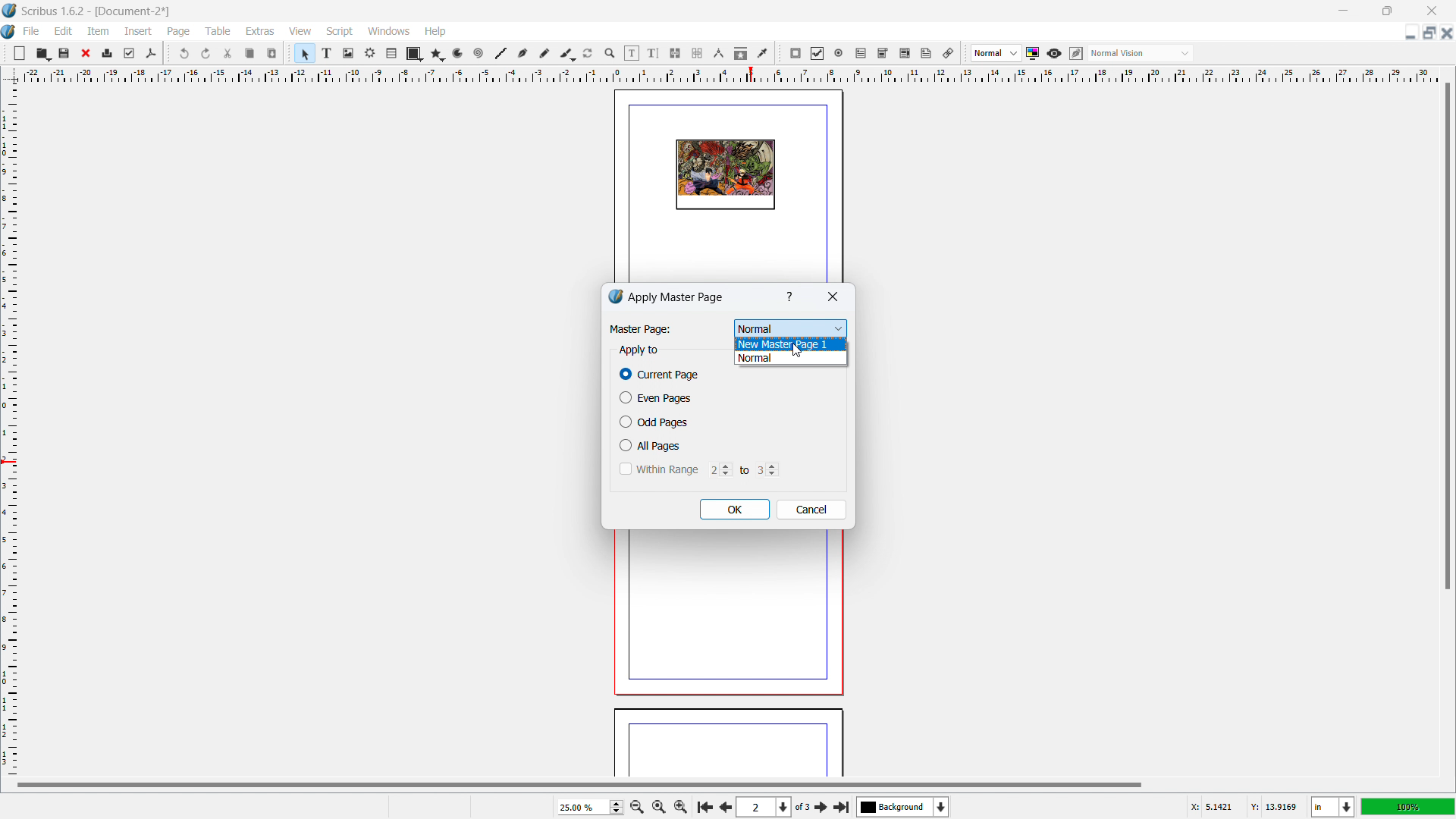 Image resolution: width=1456 pixels, height=819 pixels. I want to click on first page, so click(704, 805).